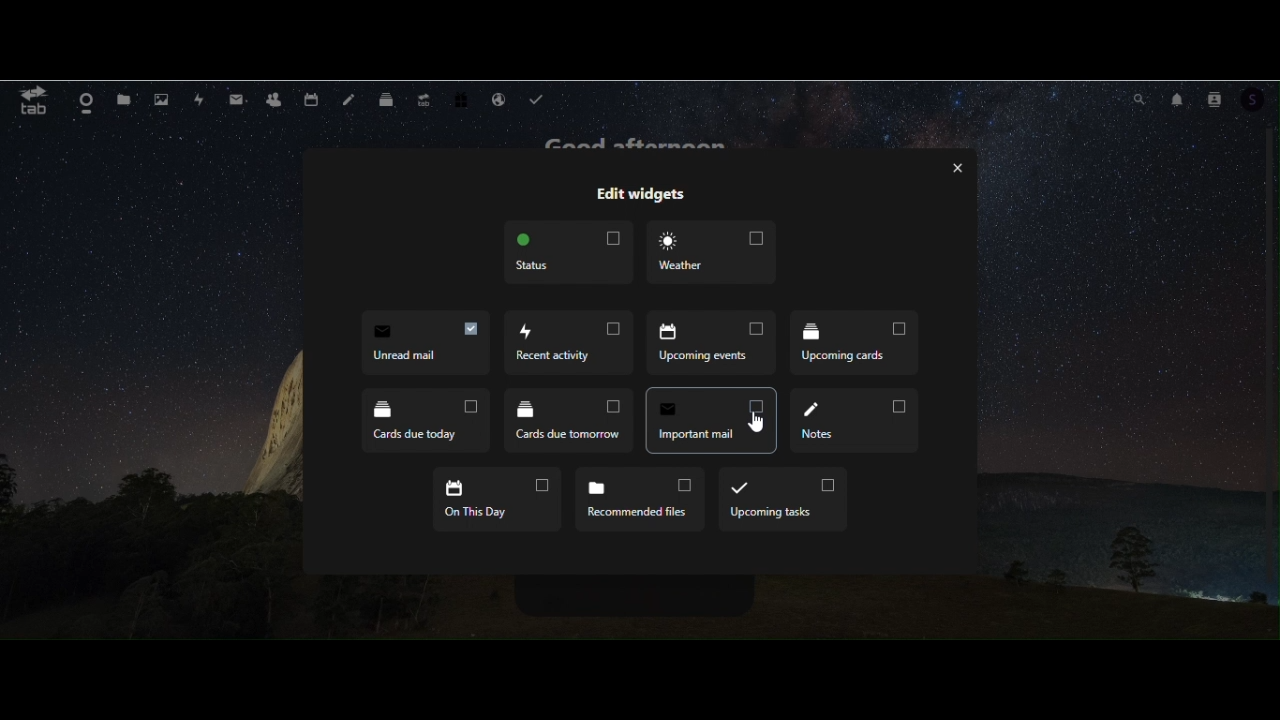 The height and width of the screenshot is (720, 1280). Describe the element at coordinates (1138, 97) in the screenshot. I see `search` at that location.